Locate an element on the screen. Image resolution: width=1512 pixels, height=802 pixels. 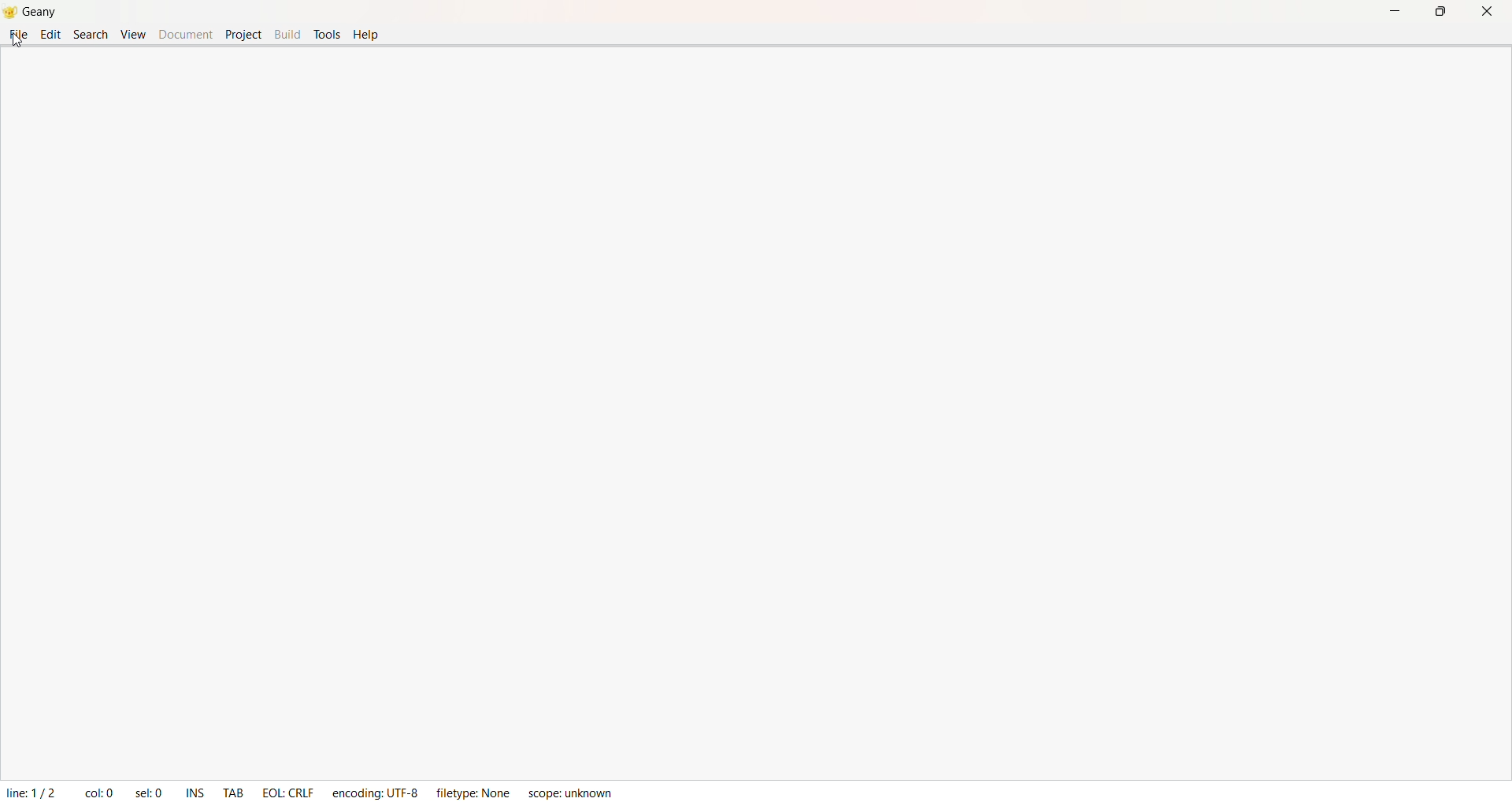
View is located at coordinates (132, 35).